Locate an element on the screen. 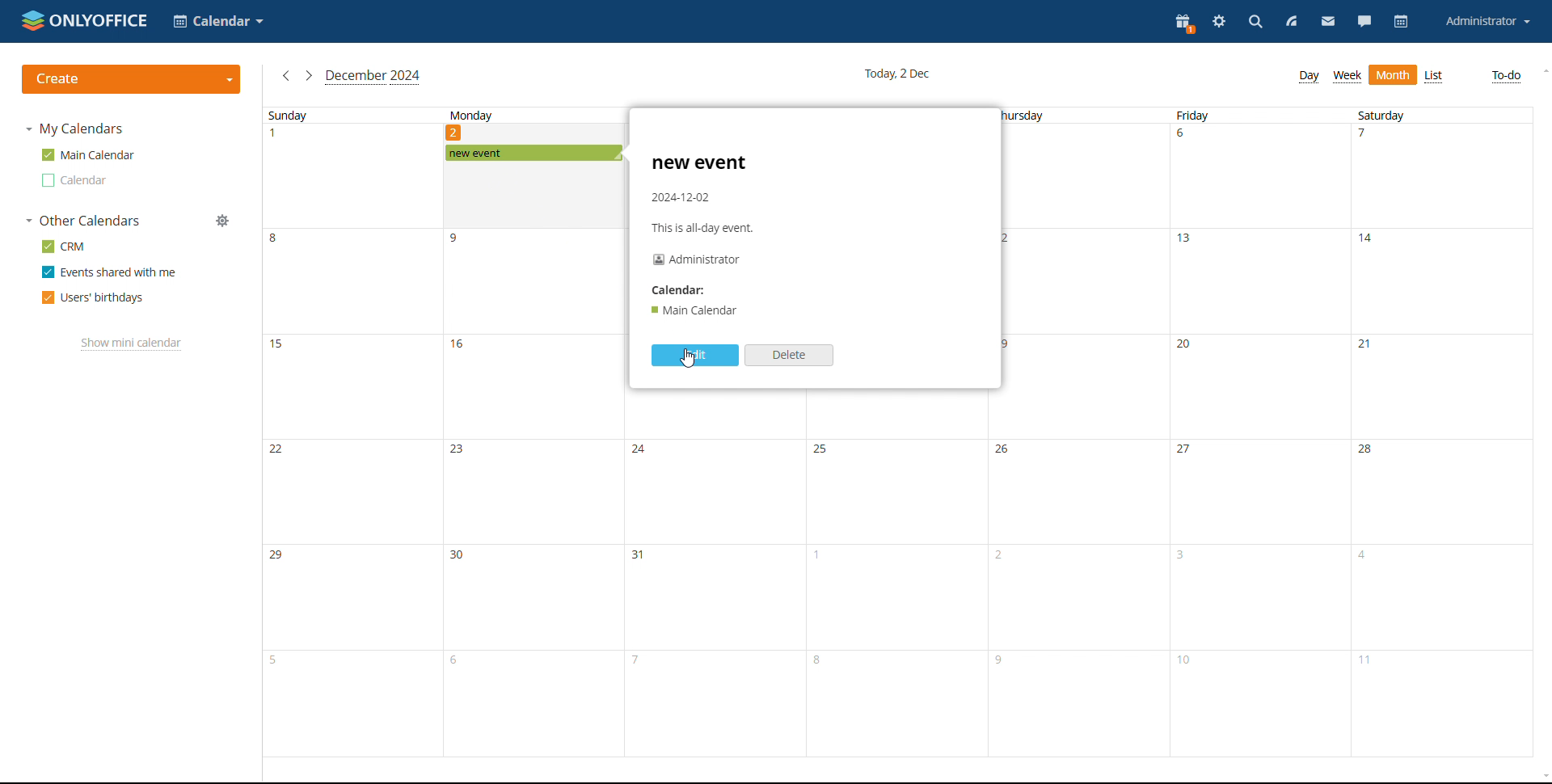  current month is located at coordinates (373, 77).